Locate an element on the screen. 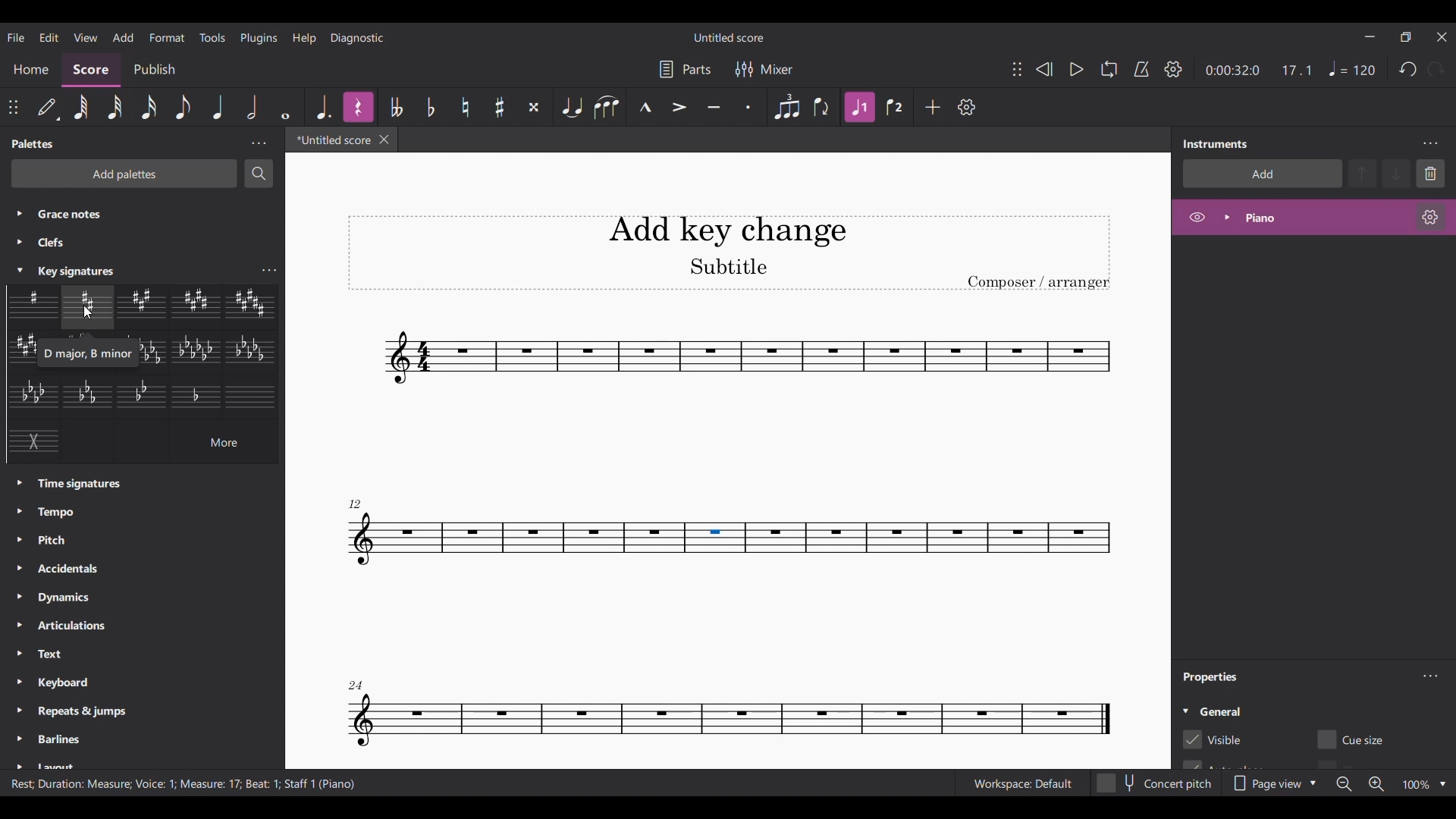 The image size is (1456, 819). Add instrument is located at coordinates (1263, 174).